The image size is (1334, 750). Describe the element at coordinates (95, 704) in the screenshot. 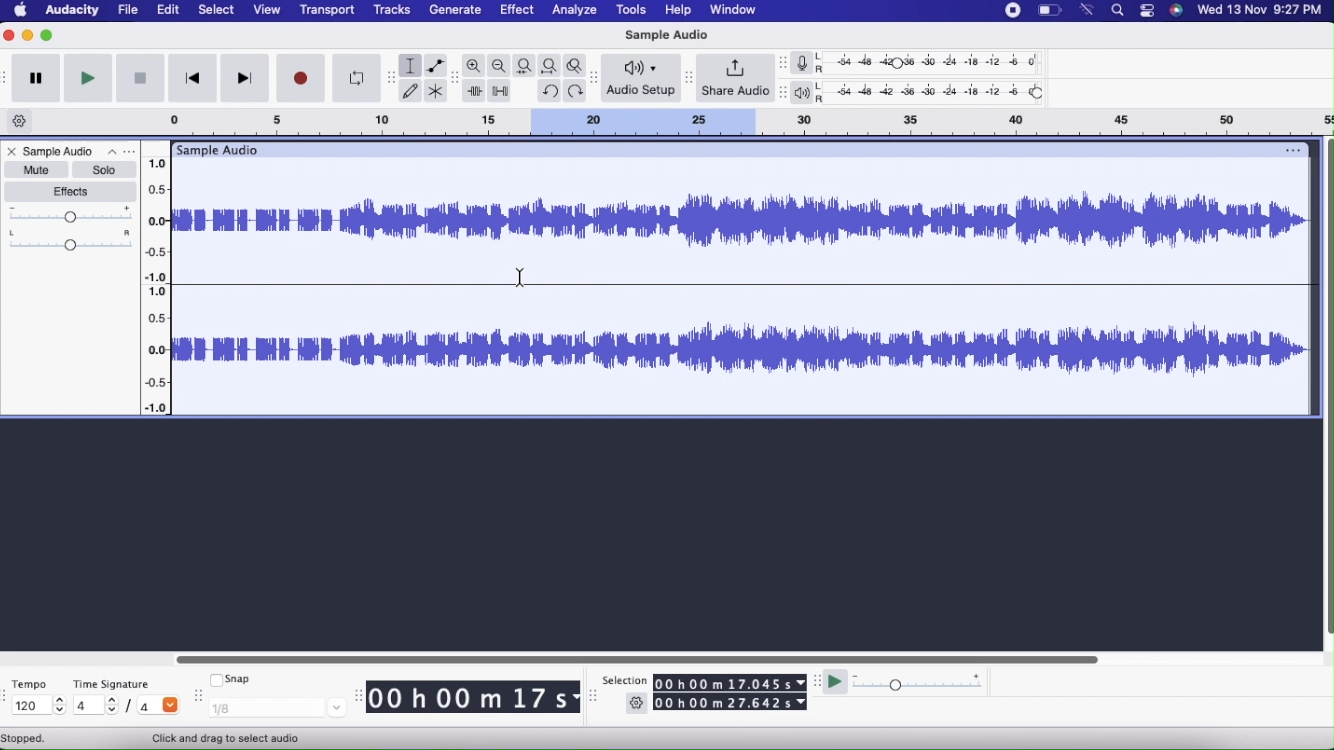

I see `4` at that location.